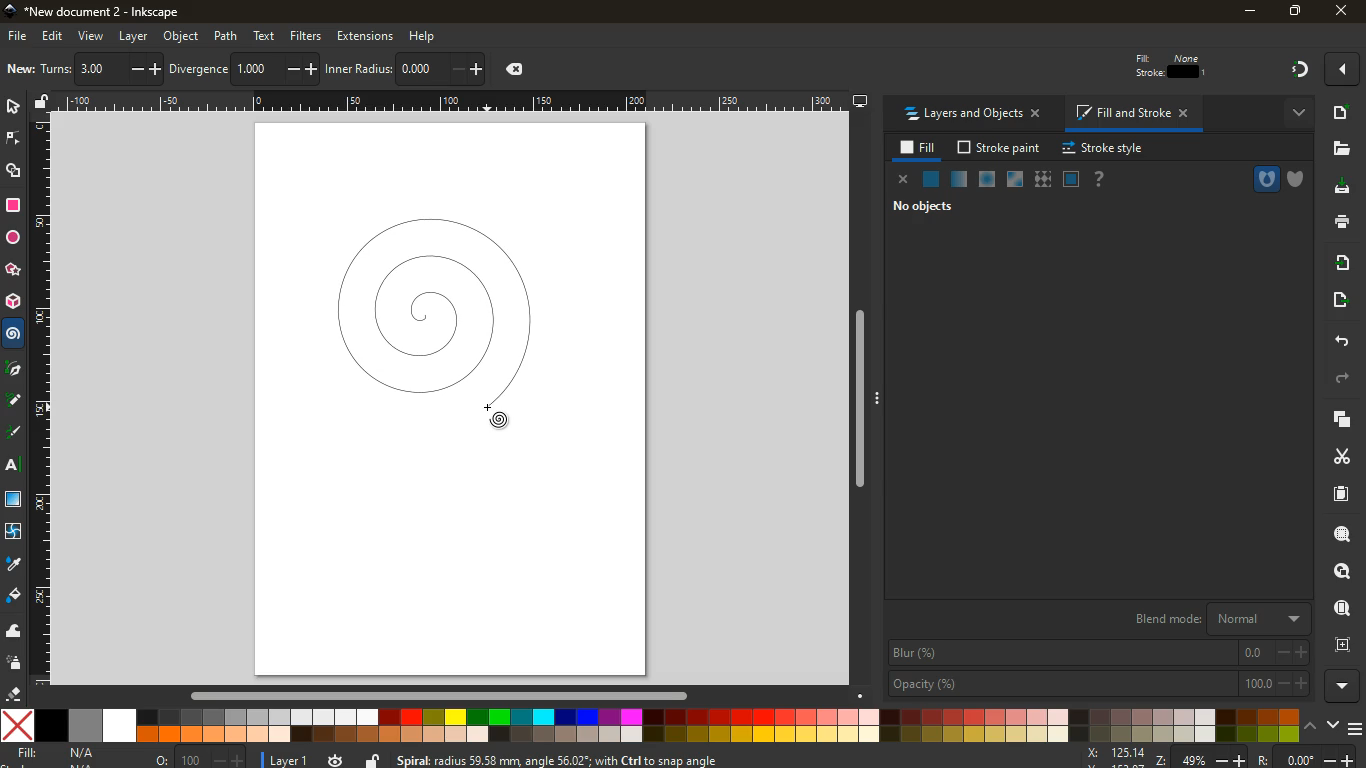  Describe the element at coordinates (932, 180) in the screenshot. I see `normal` at that location.